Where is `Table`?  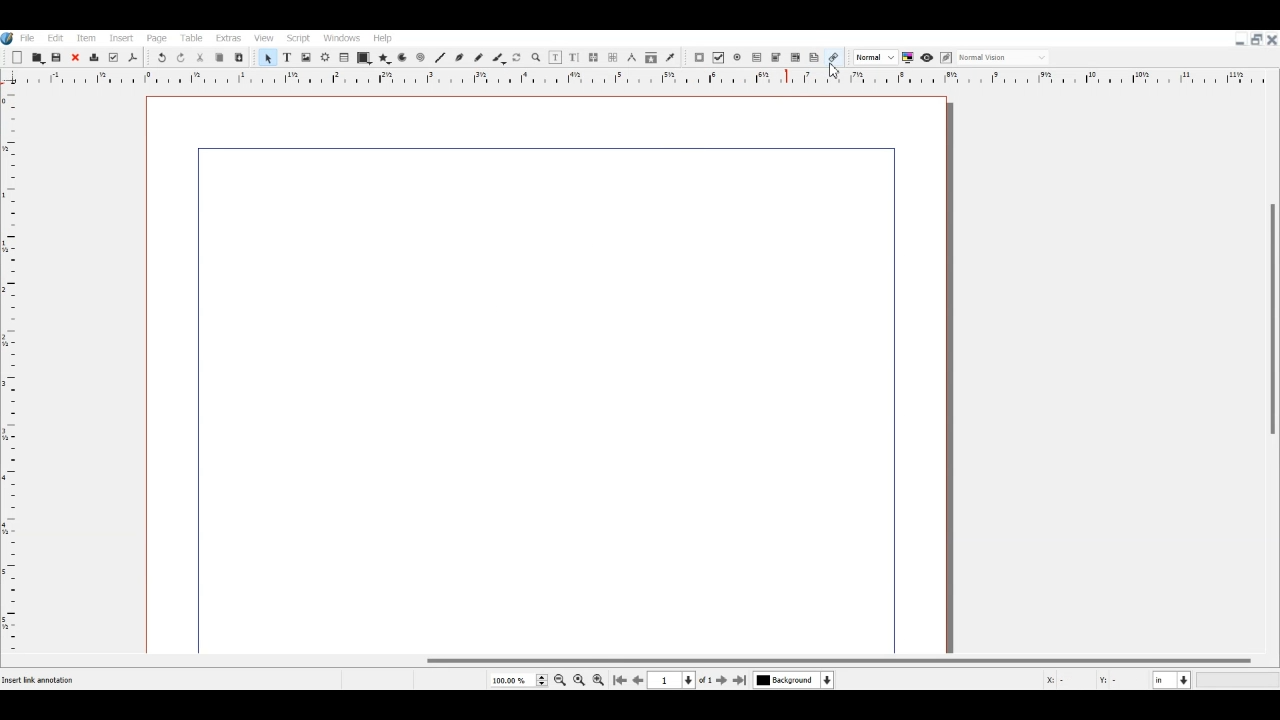 Table is located at coordinates (345, 58).